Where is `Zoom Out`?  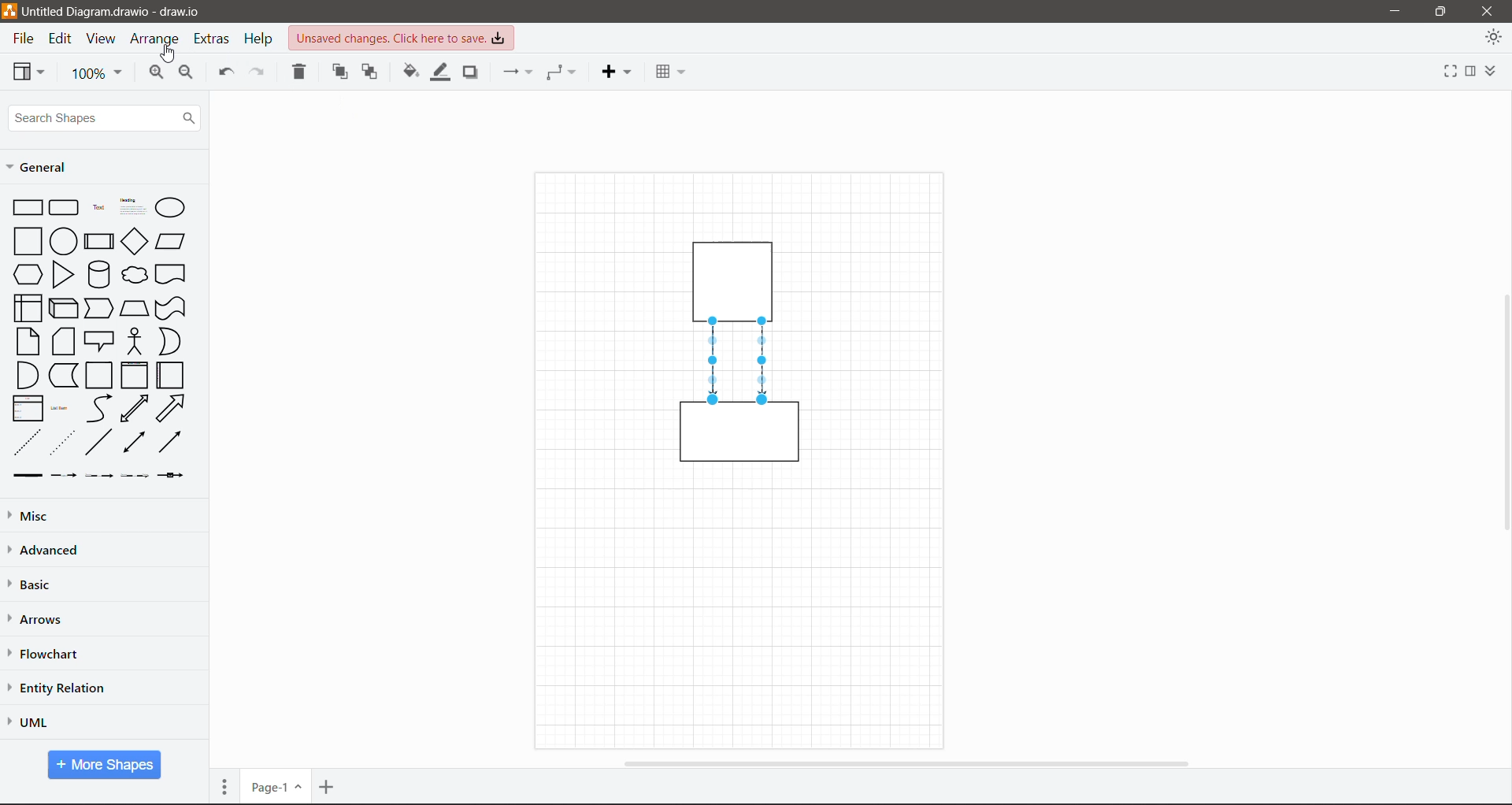 Zoom Out is located at coordinates (187, 75).